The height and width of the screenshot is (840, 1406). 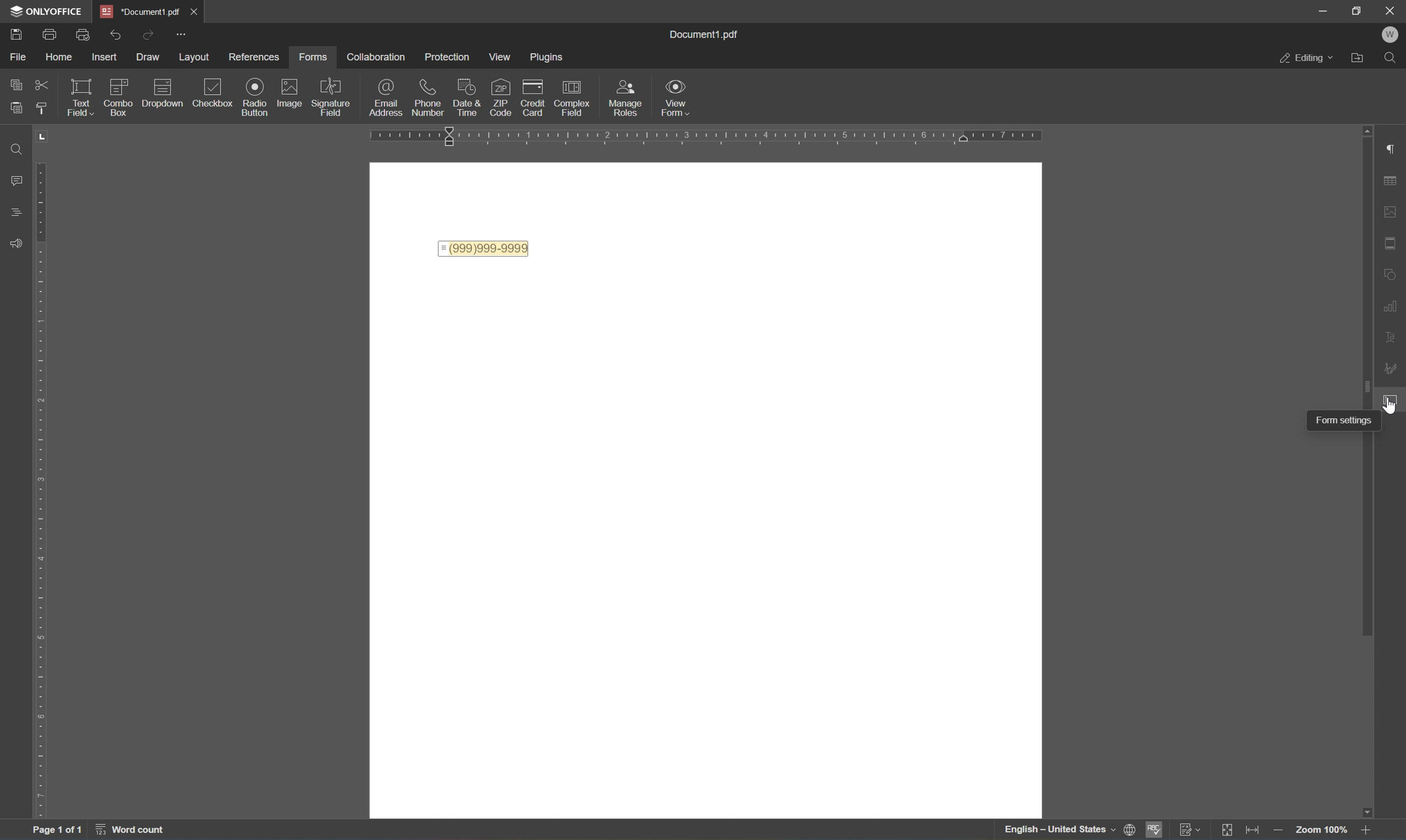 I want to click on image, so click(x=292, y=95).